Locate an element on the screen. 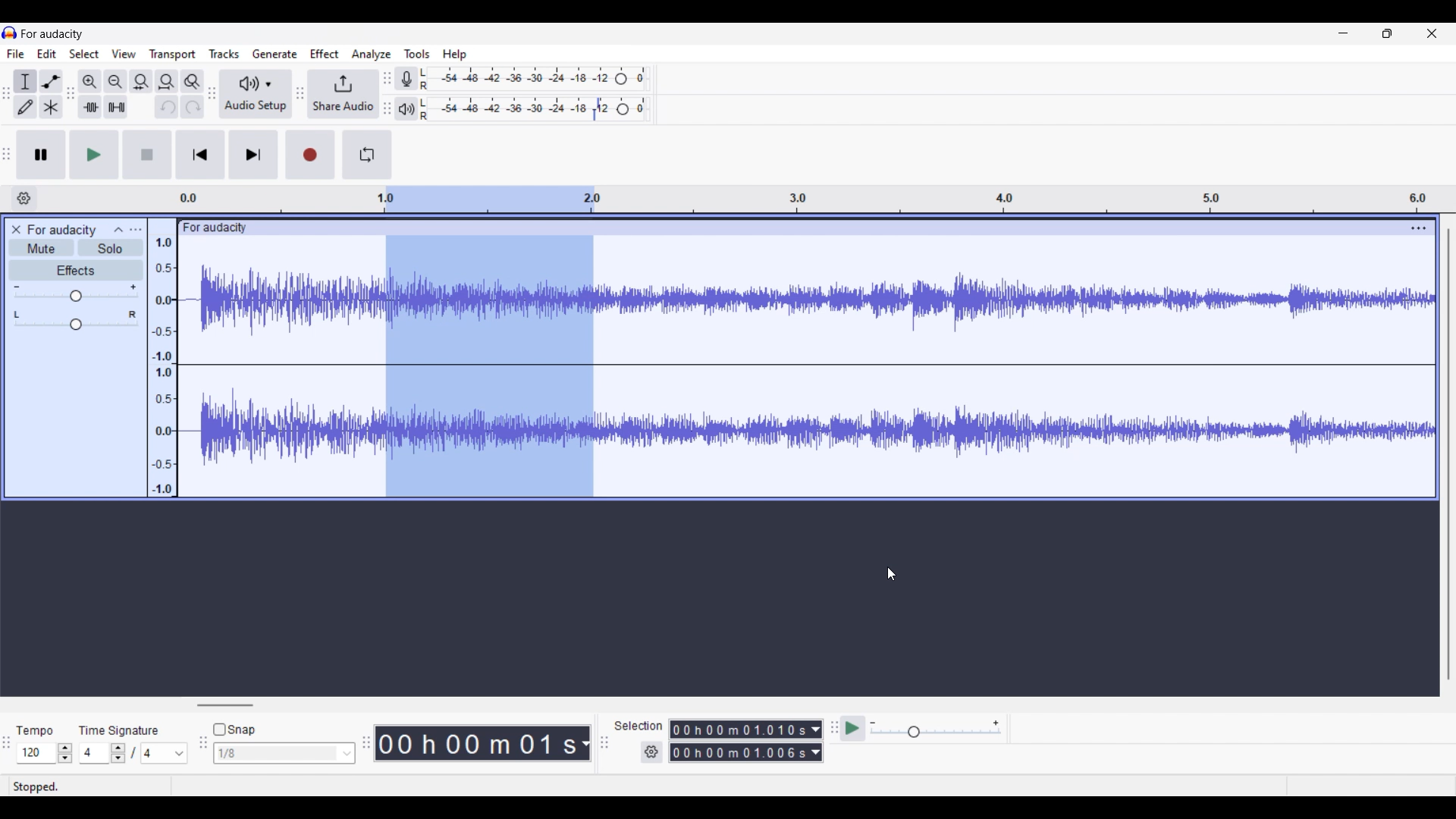 Image resolution: width=1456 pixels, height=819 pixels. Vertical slide bar is located at coordinates (1448, 453).